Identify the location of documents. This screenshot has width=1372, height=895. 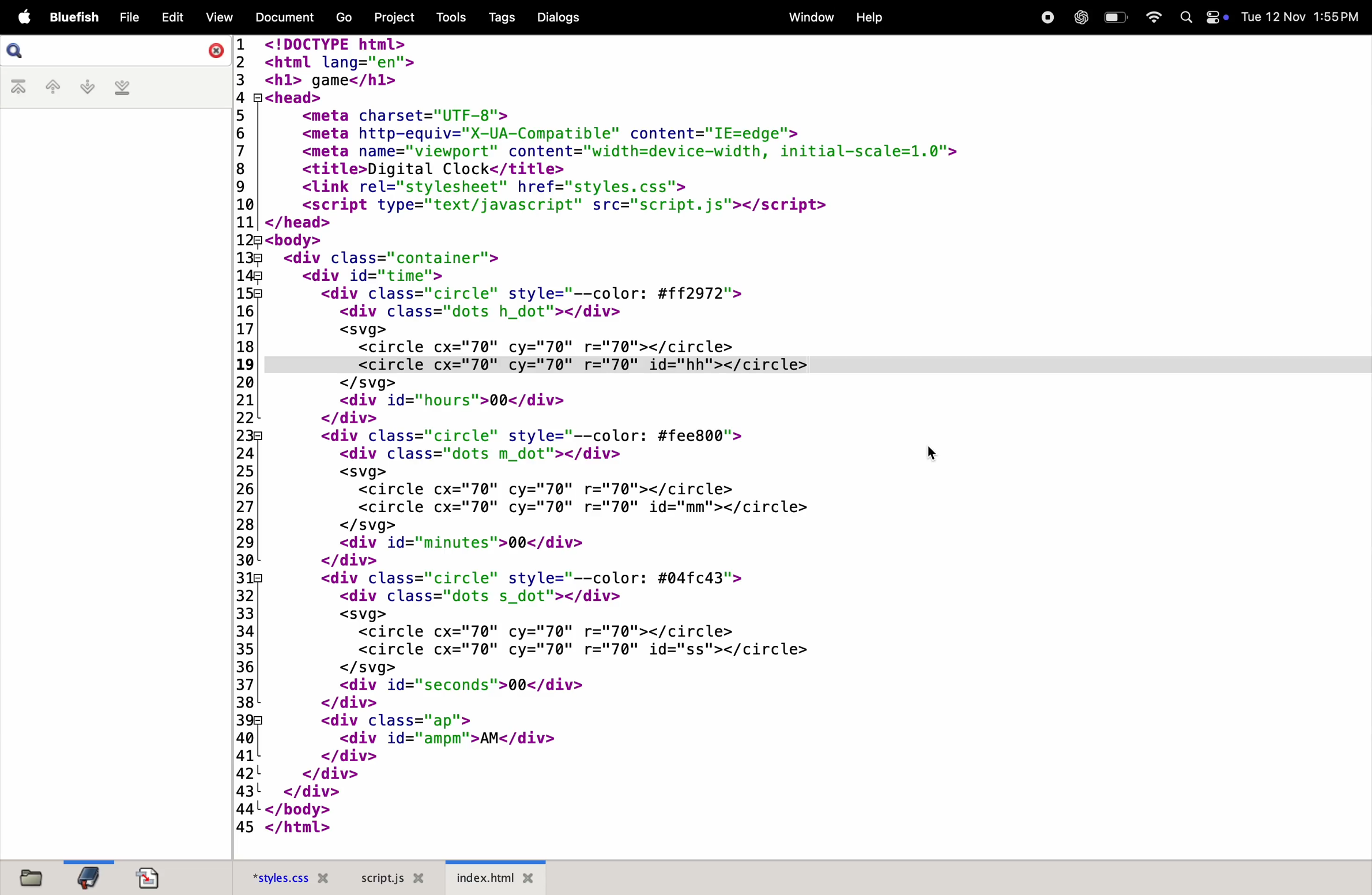
(281, 17).